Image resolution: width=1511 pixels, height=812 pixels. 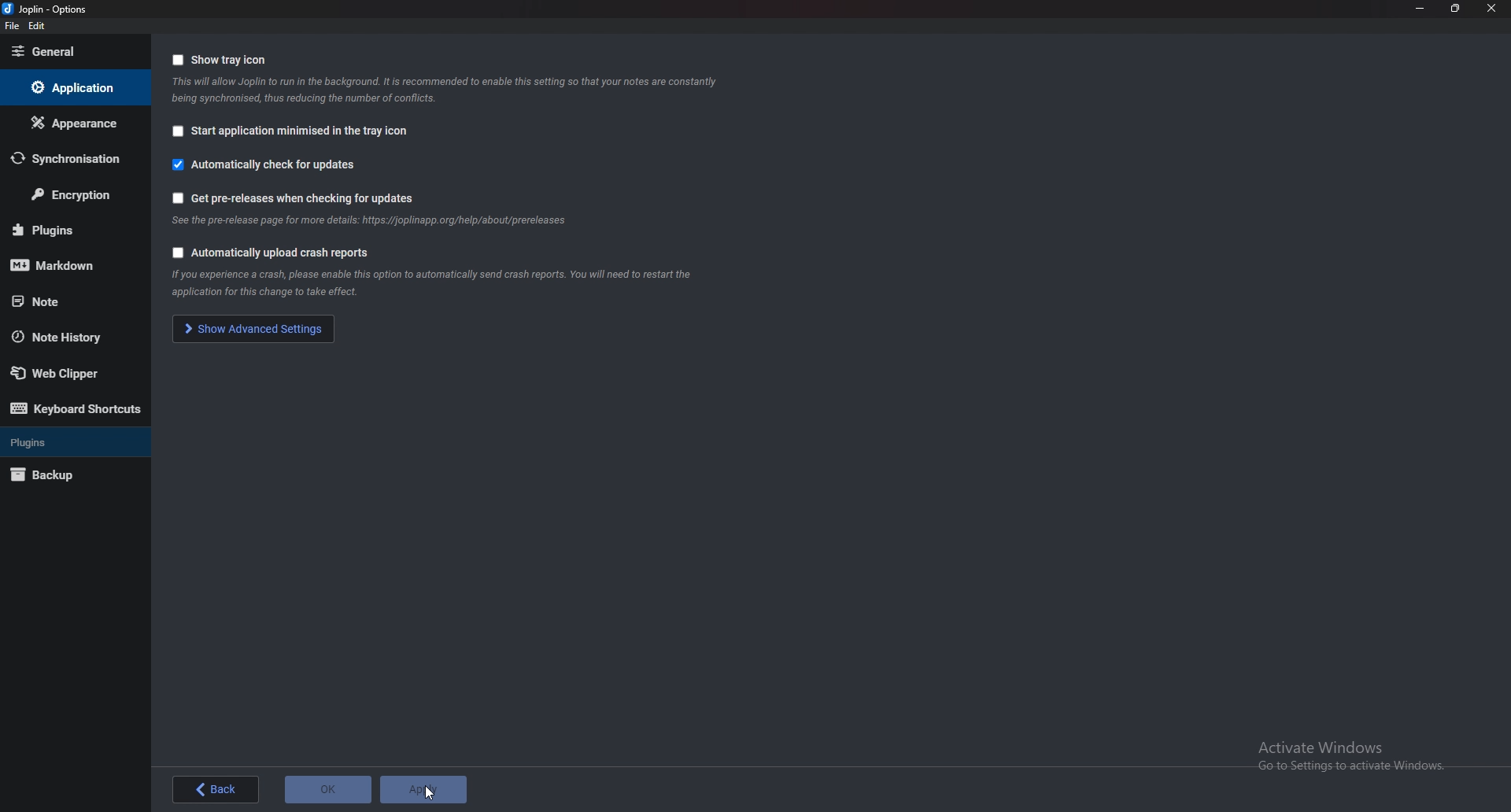 I want to click on info, so click(x=374, y=222).